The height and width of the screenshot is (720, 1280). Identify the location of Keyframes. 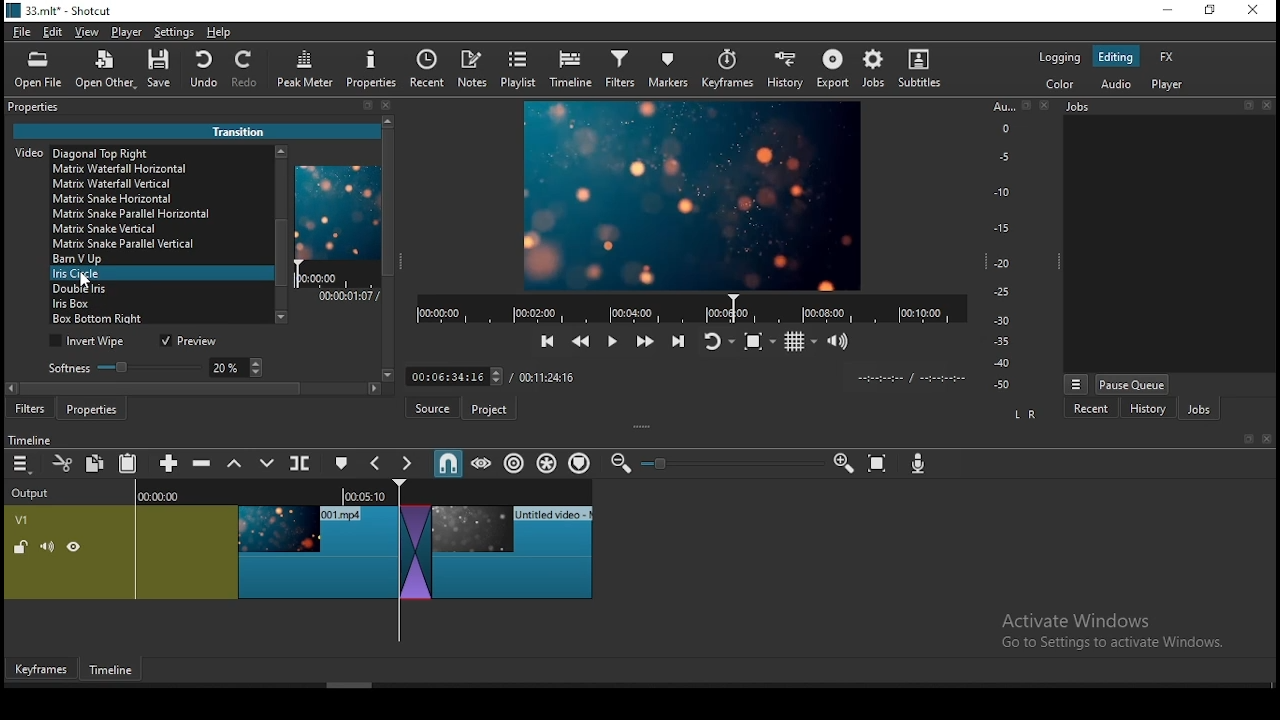
(39, 670).